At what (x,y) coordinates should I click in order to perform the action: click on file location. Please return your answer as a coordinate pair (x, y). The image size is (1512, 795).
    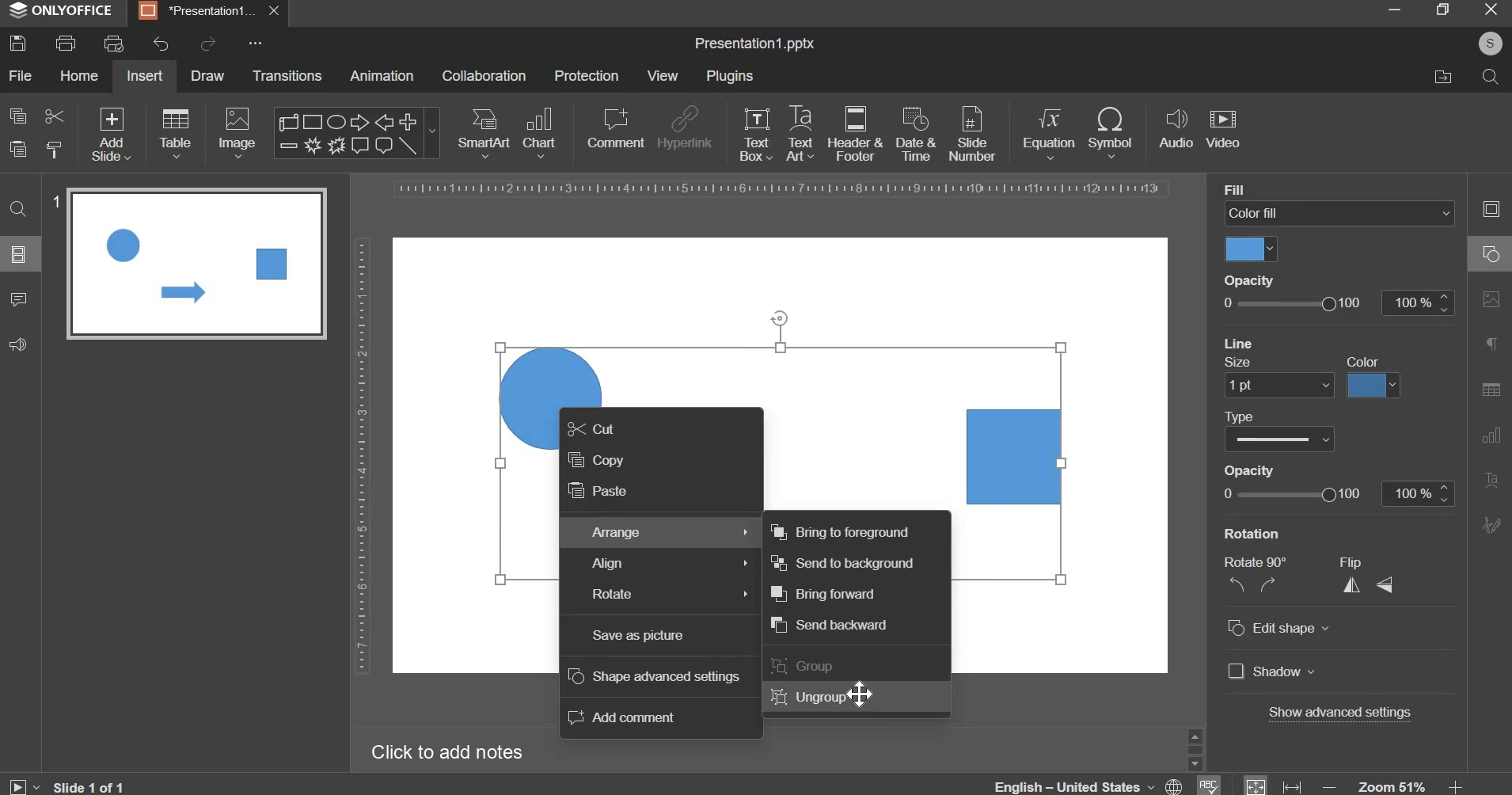
    Looking at the image, I should click on (1442, 77).